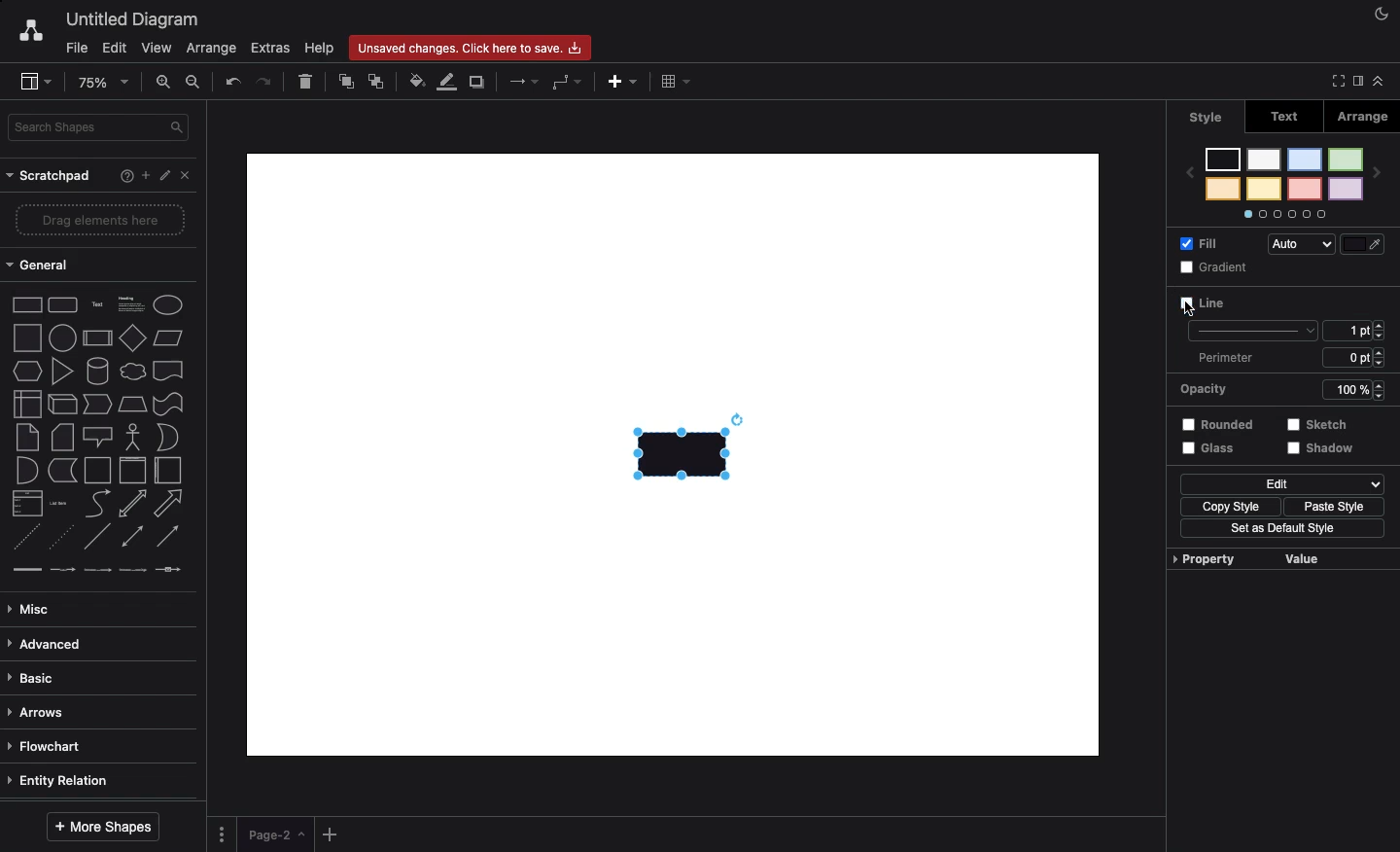 This screenshot has height=852, width=1400. I want to click on bidirectional arrow, so click(133, 505).